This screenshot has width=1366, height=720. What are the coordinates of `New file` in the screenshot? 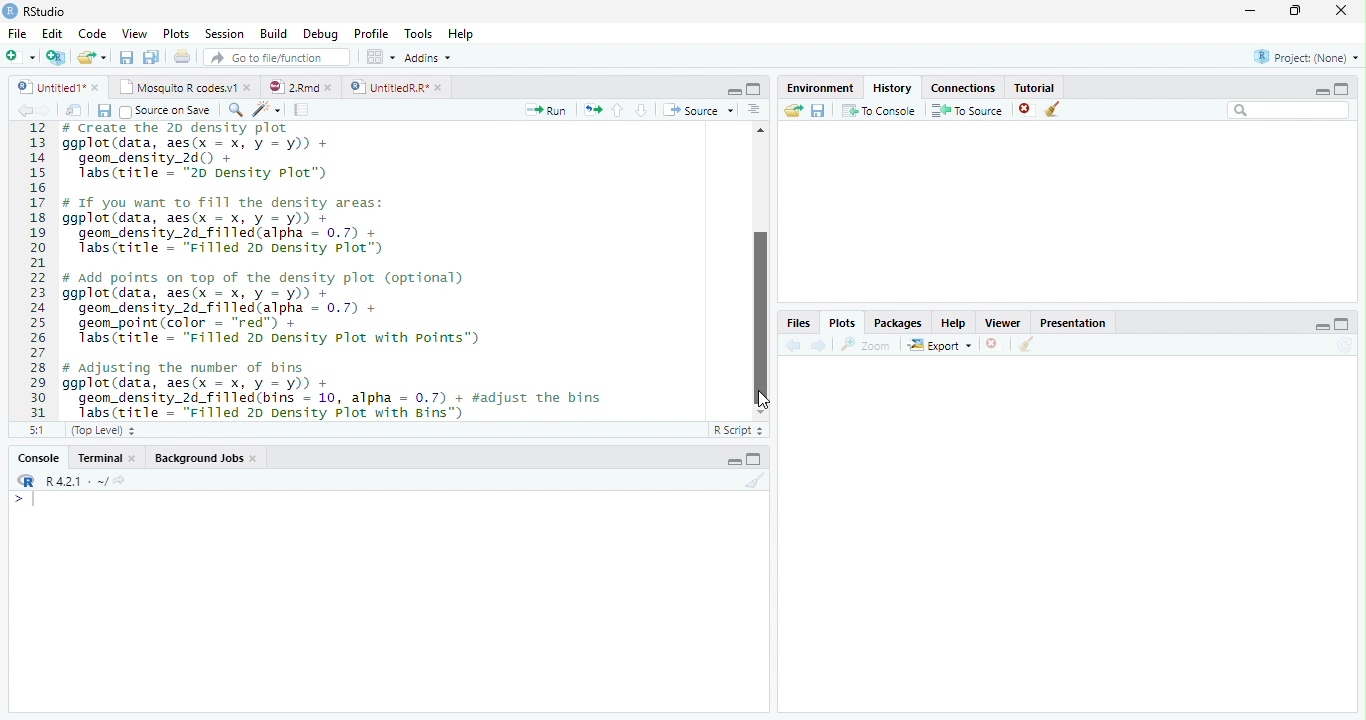 It's located at (20, 57).